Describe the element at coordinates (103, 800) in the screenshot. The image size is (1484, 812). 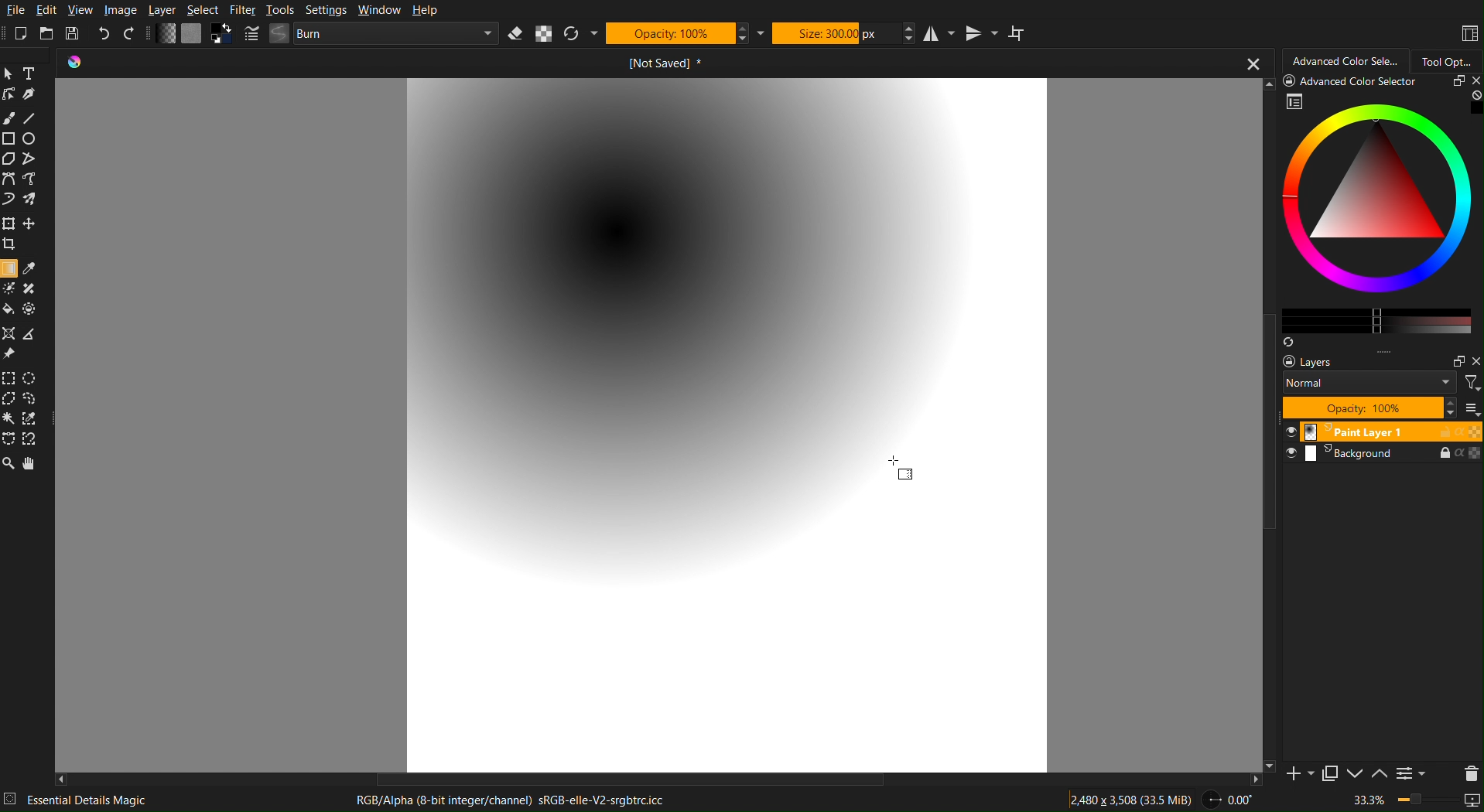
I see `Essential Details Magic` at that location.